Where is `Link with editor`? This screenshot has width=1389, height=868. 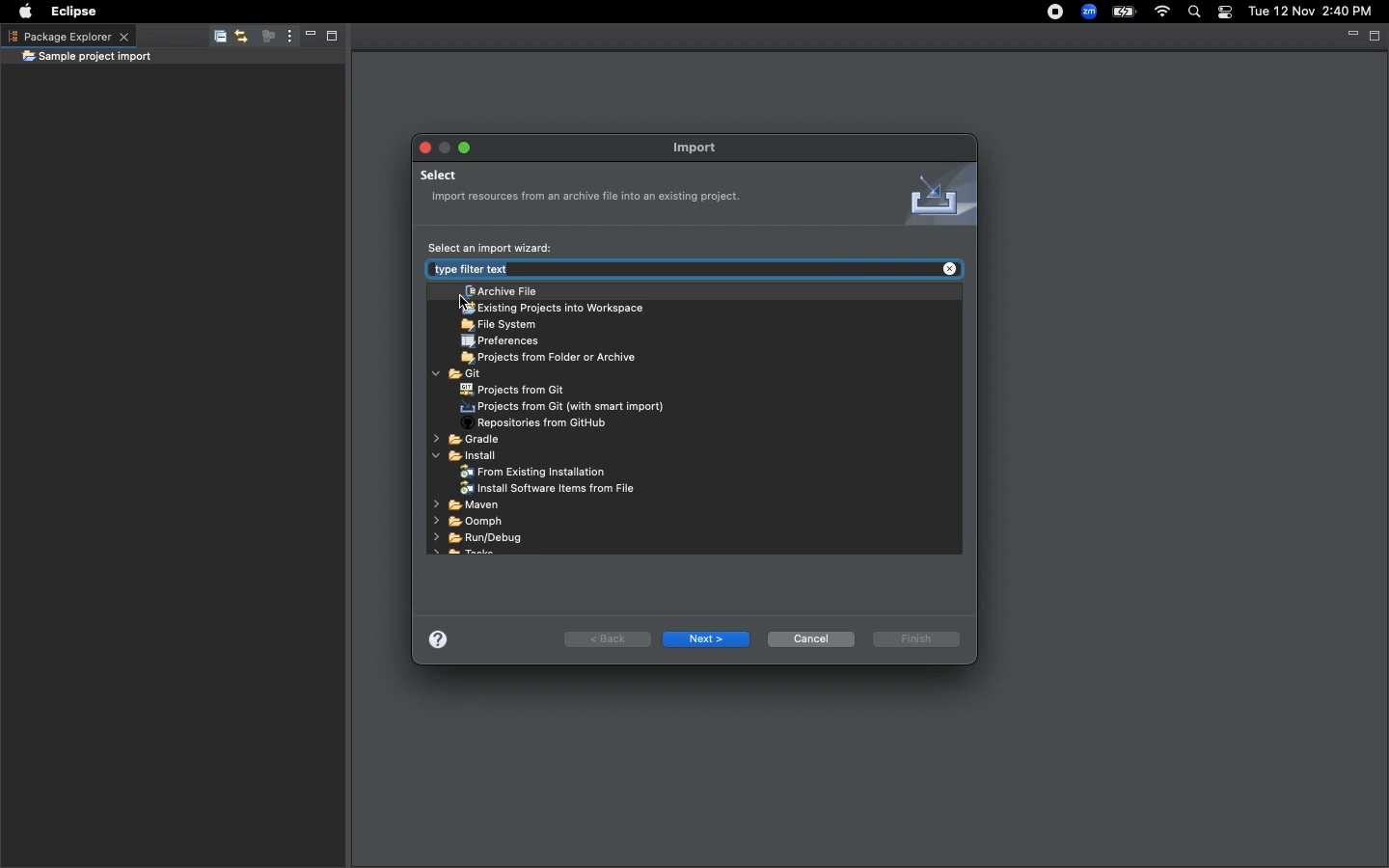
Link with editor is located at coordinates (240, 38).